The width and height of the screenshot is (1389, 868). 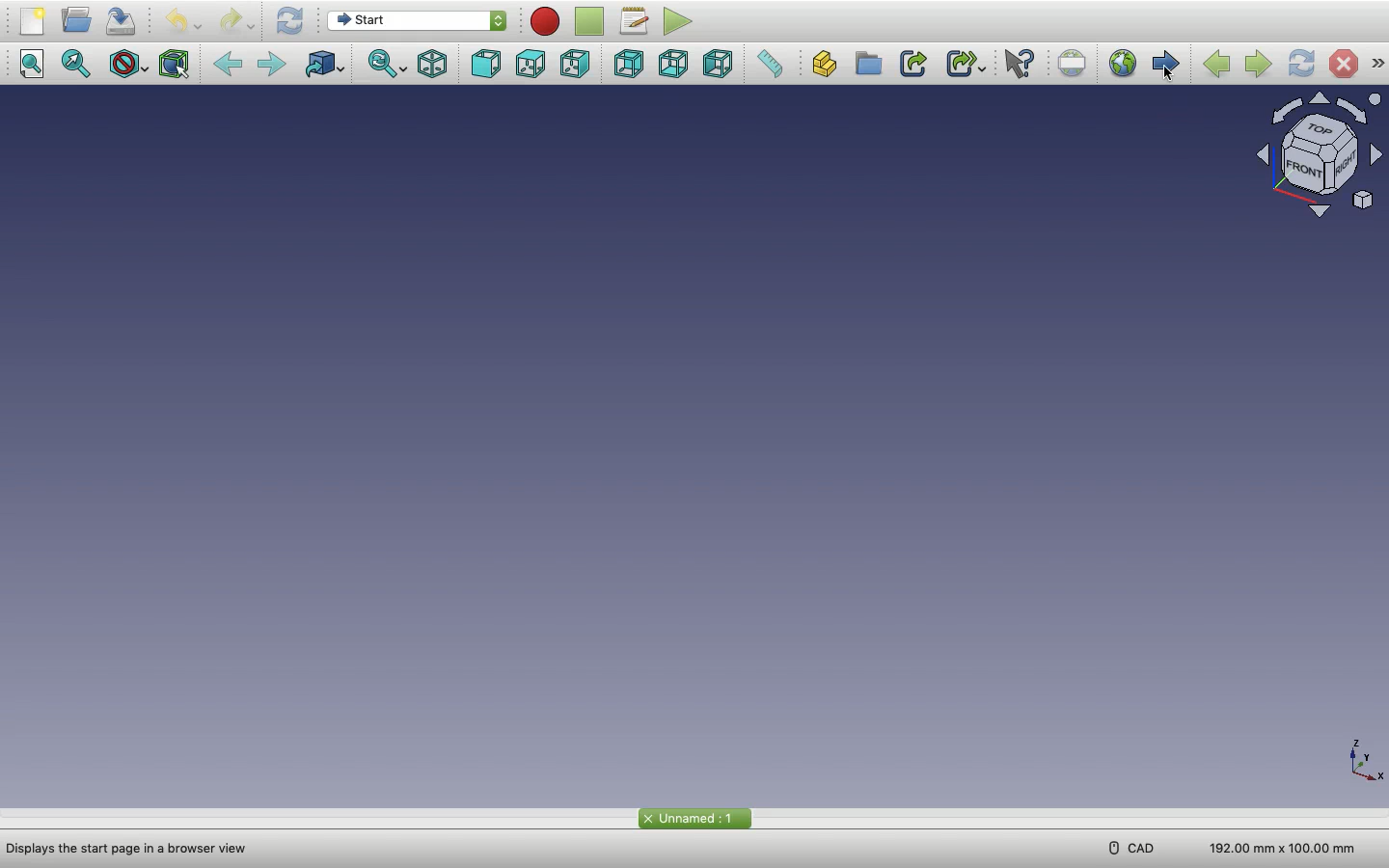 What do you see at coordinates (1344, 64) in the screenshot?
I see `Stop loading` at bounding box center [1344, 64].